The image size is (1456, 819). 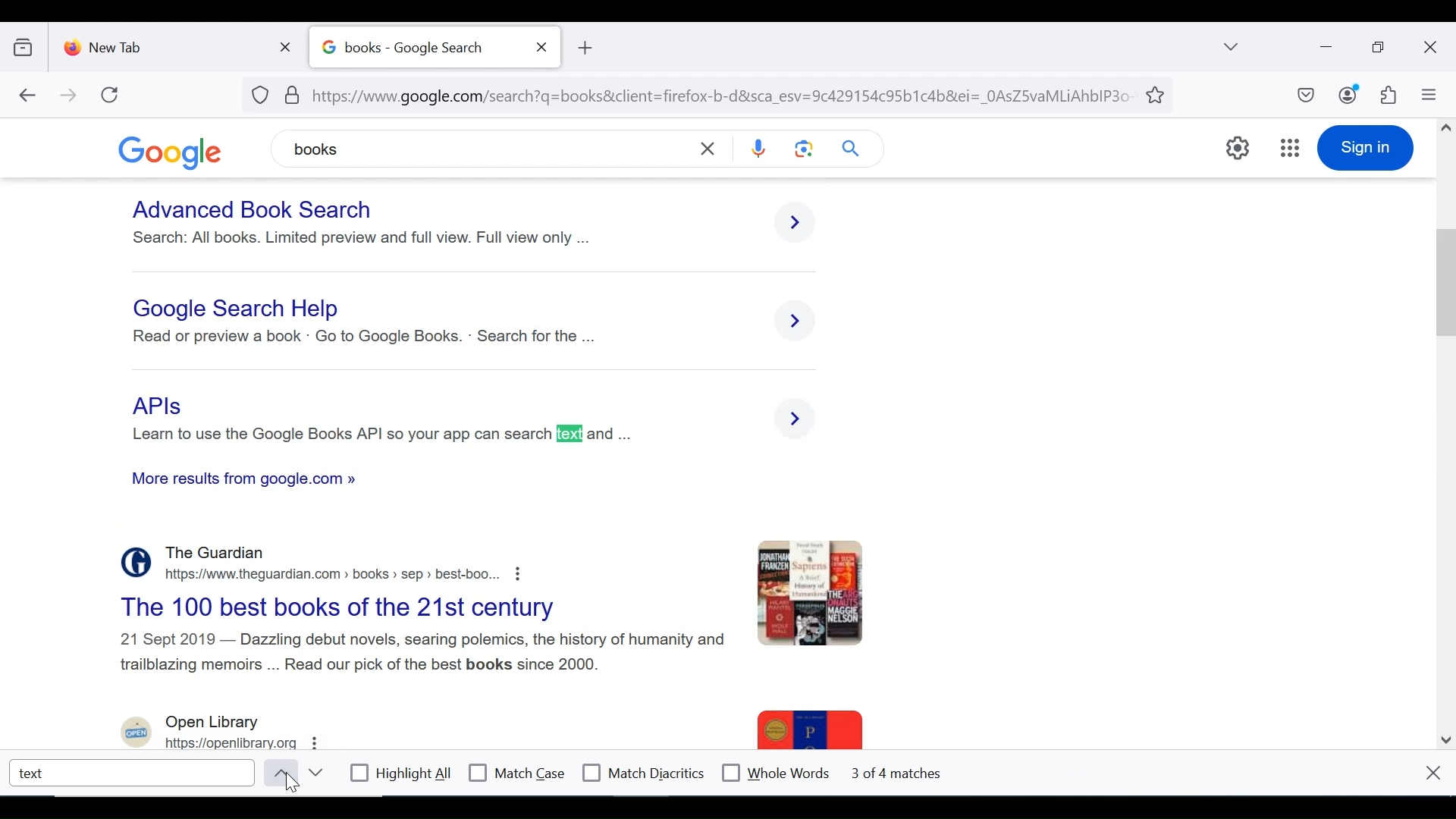 What do you see at coordinates (249, 482) in the screenshot?
I see `more results from google.com >>` at bounding box center [249, 482].